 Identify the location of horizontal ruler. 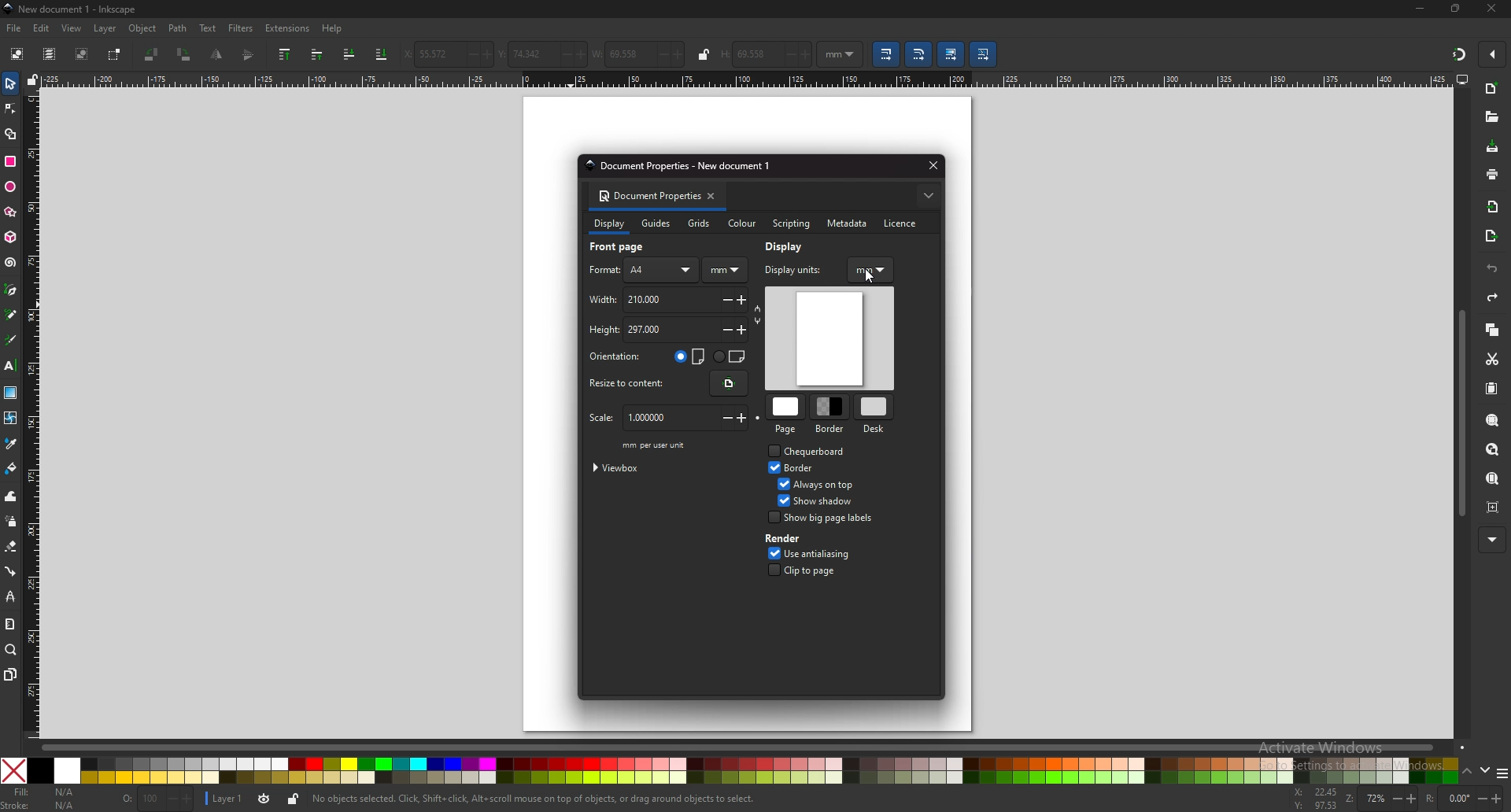
(747, 79).